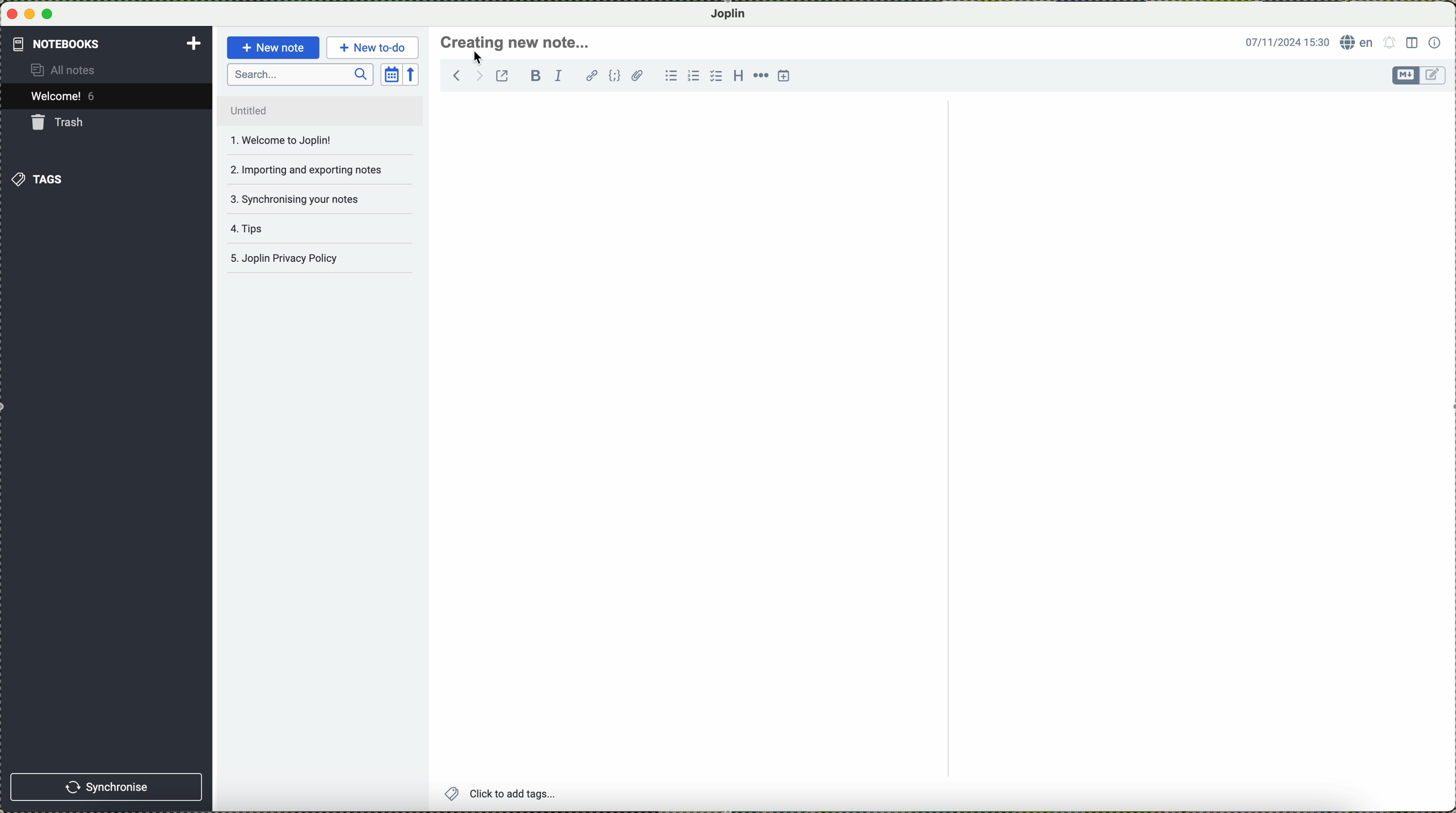 This screenshot has width=1456, height=813. Describe the element at coordinates (638, 75) in the screenshot. I see `attach file` at that location.